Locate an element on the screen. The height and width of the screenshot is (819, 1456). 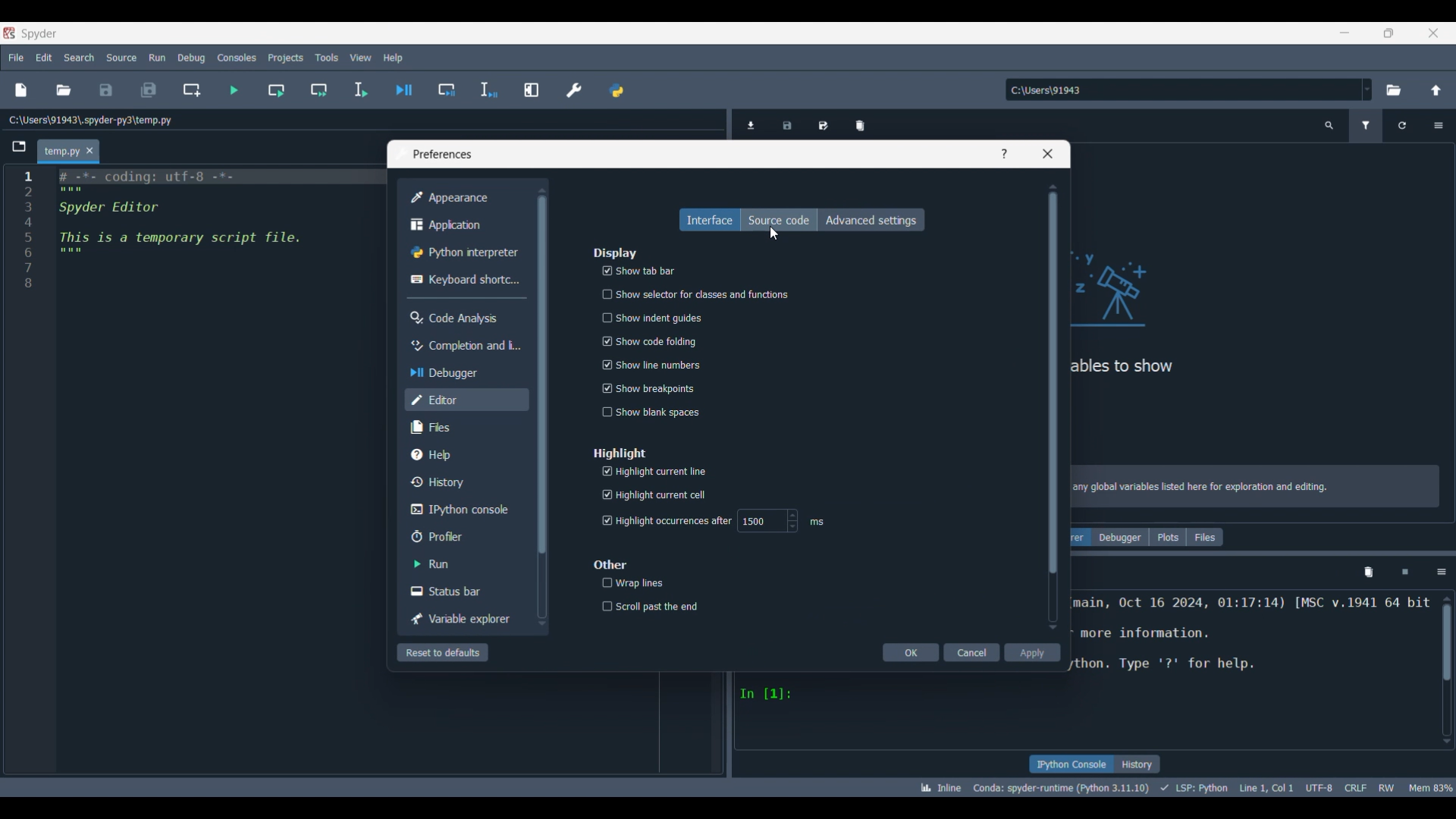
Advanced settings is located at coordinates (871, 220).